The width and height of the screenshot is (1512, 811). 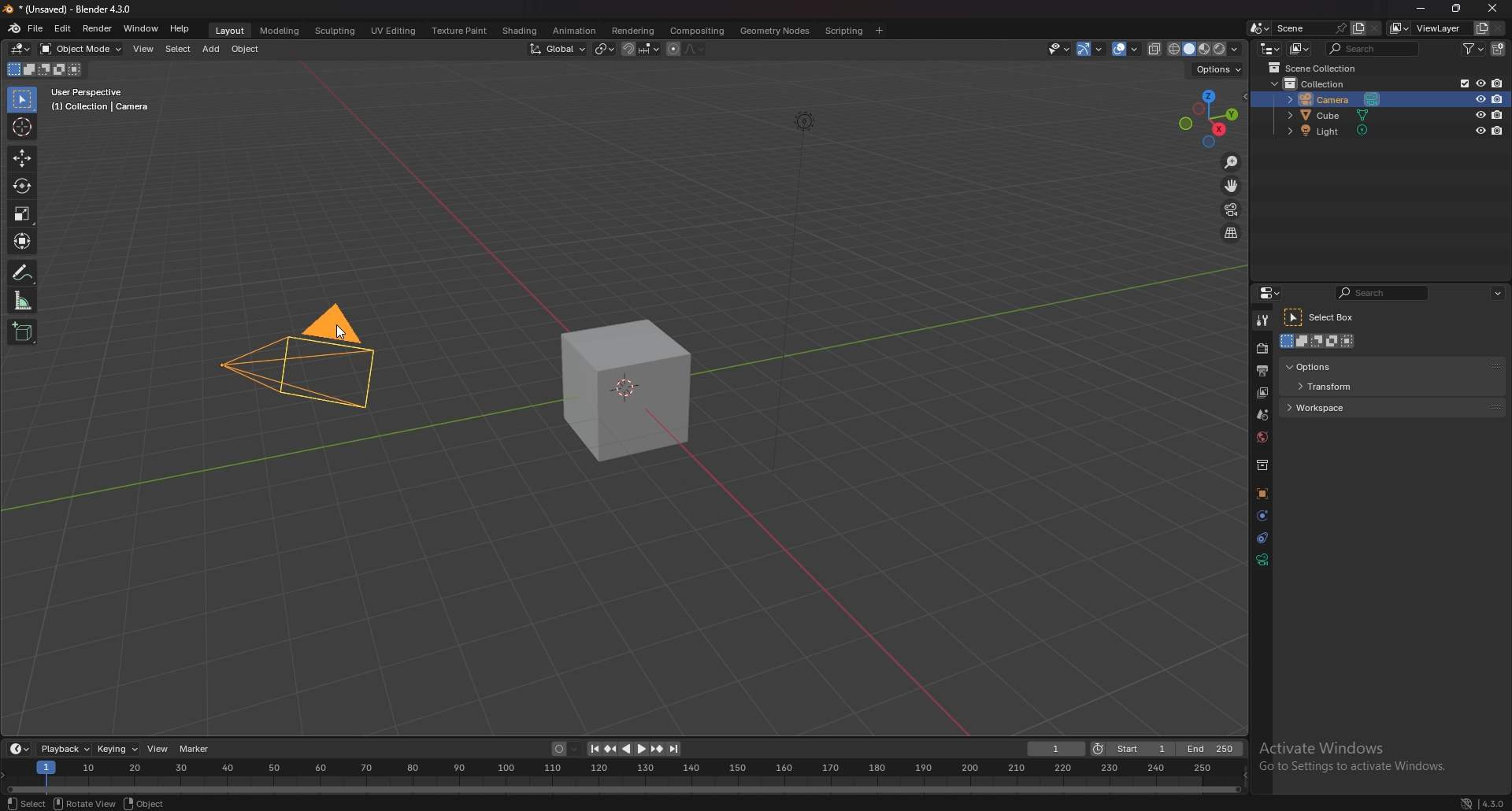 I want to click on options, so click(x=1328, y=366).